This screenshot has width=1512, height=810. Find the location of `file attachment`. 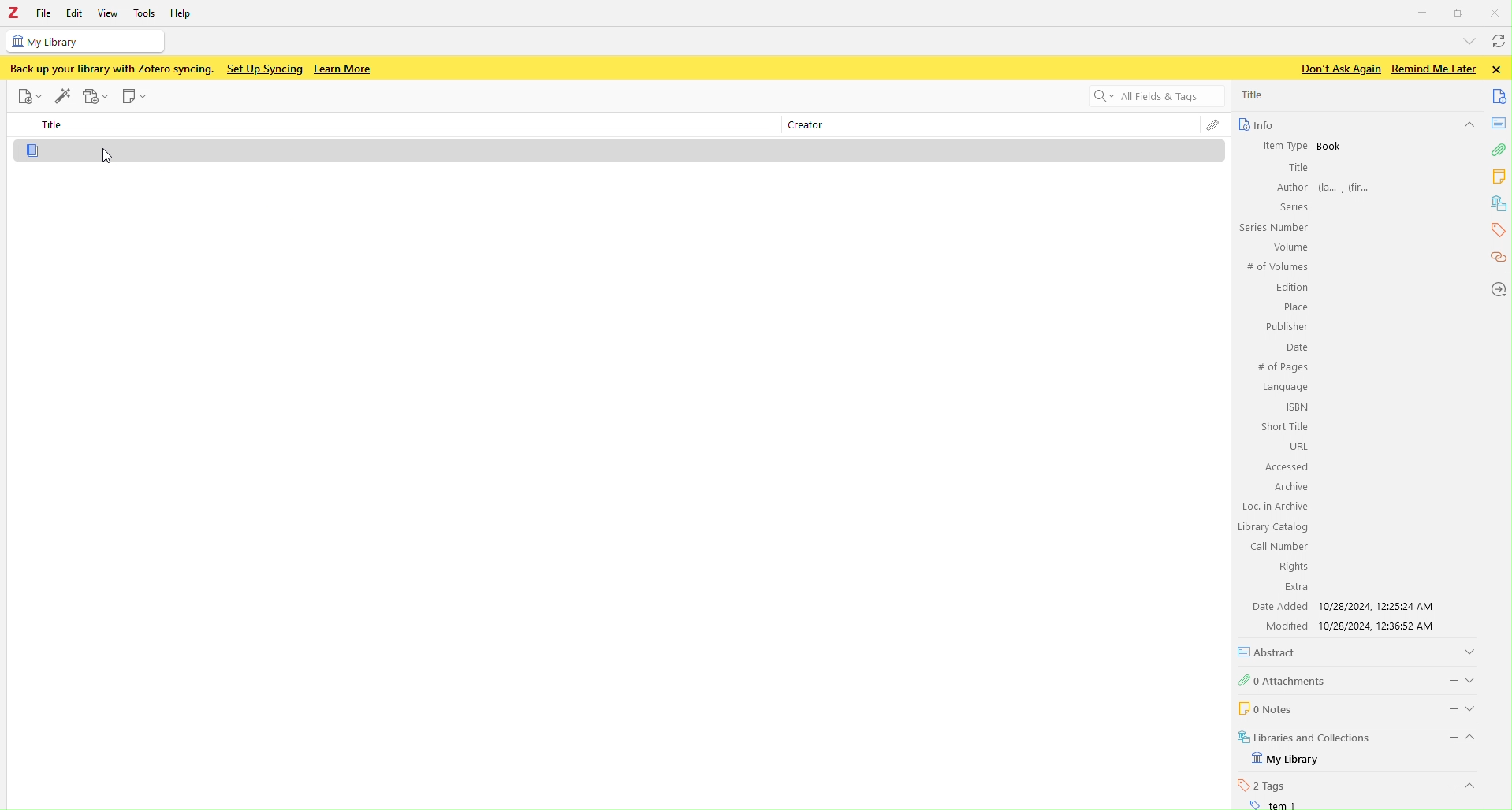

file attachment is located at coordinates (1212, 127).